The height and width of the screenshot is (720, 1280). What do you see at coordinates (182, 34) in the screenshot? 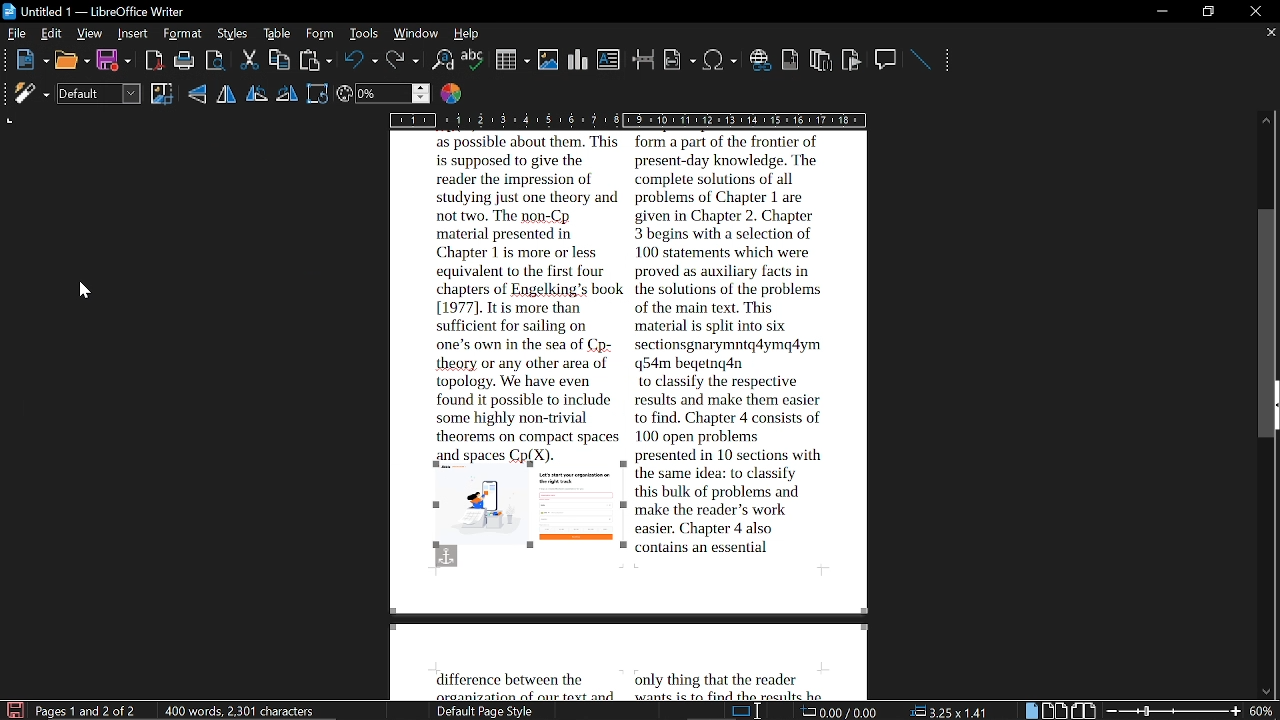
I see `format` at bounding box center [182, 34].